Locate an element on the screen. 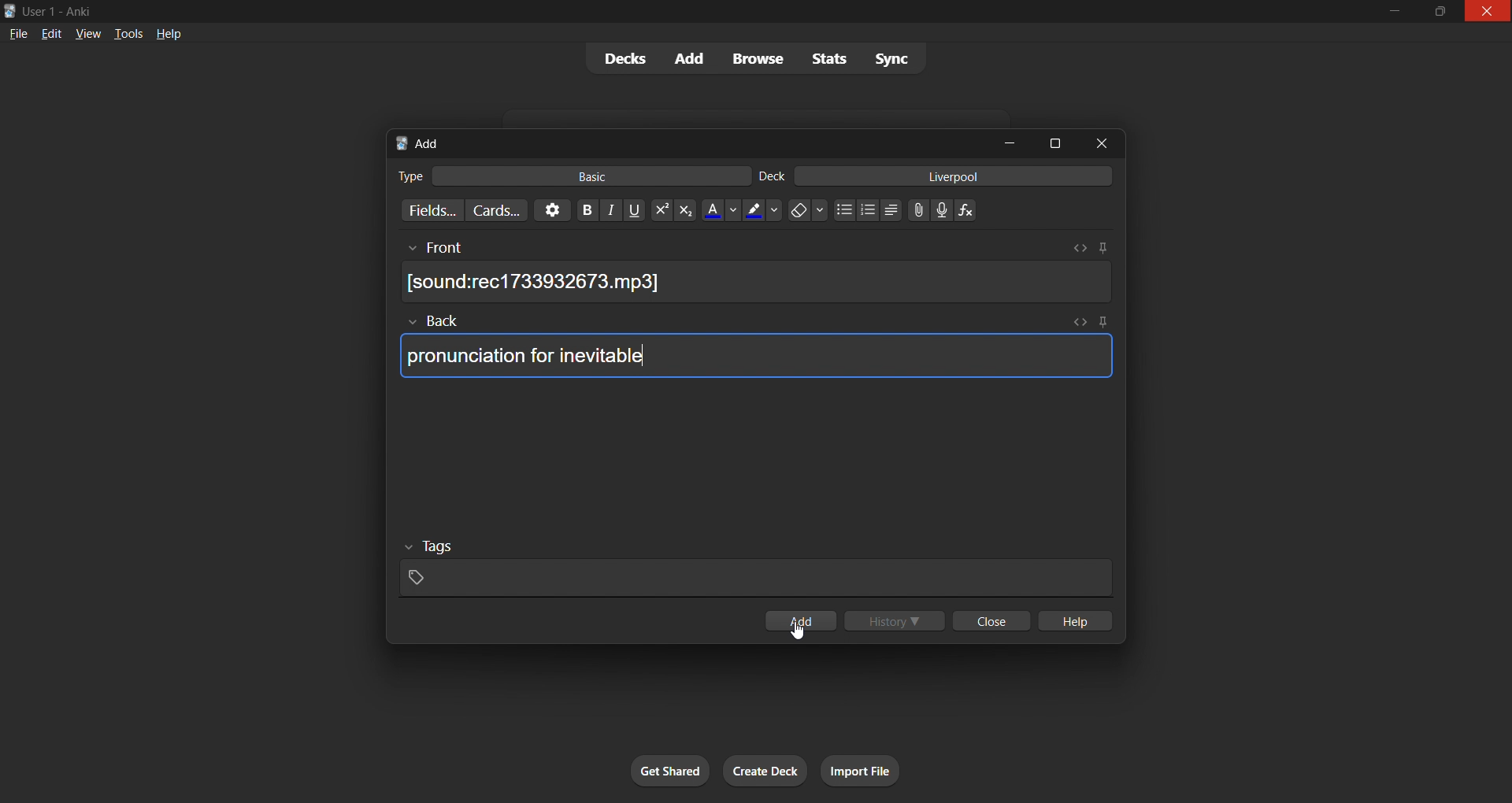 The height and width of the screenshot is (803, 1512). minimize is located at coordinates (1394, 11).